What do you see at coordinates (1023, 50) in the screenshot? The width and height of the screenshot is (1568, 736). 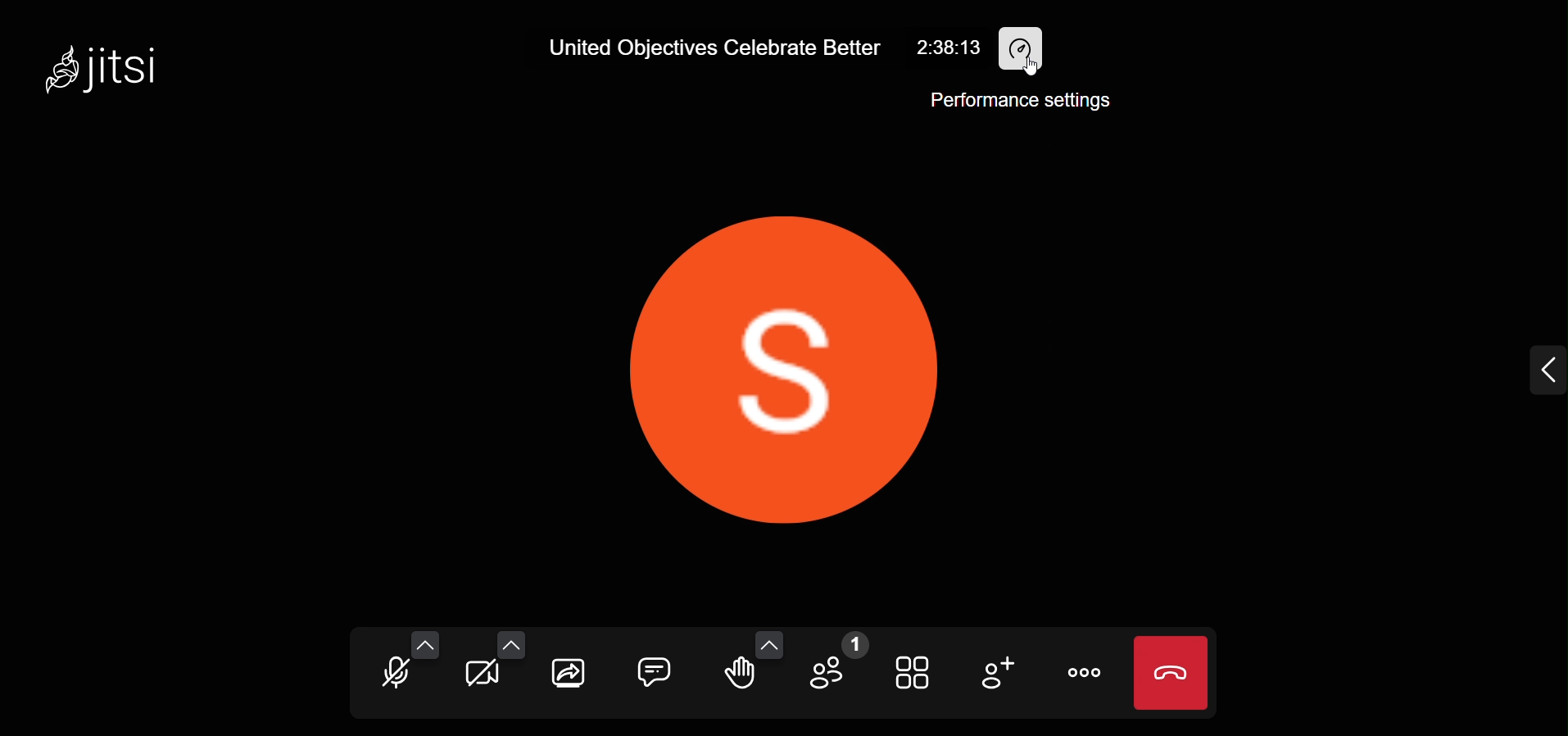 I see `performance` at bounding box center [1023, 50].